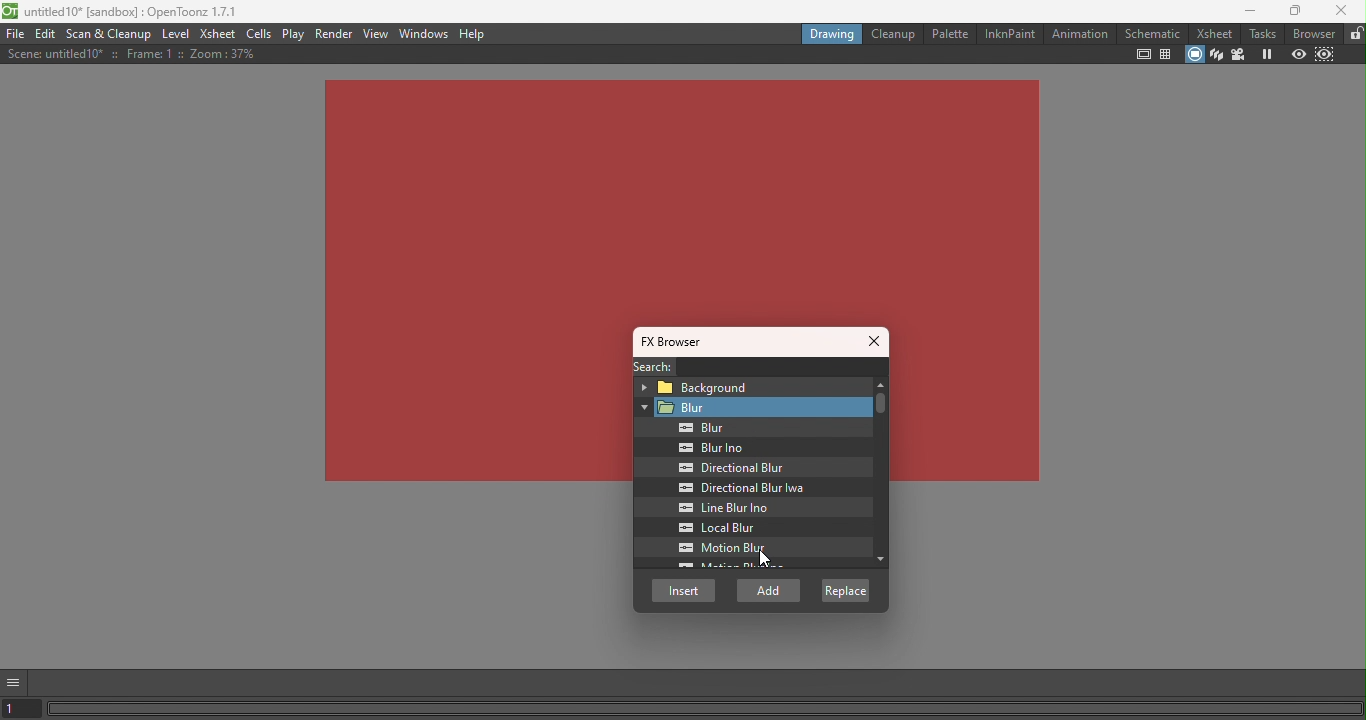 The height and width of the screenshot is (720, 1366). I want to click on Xsheet, so click(219, 33).